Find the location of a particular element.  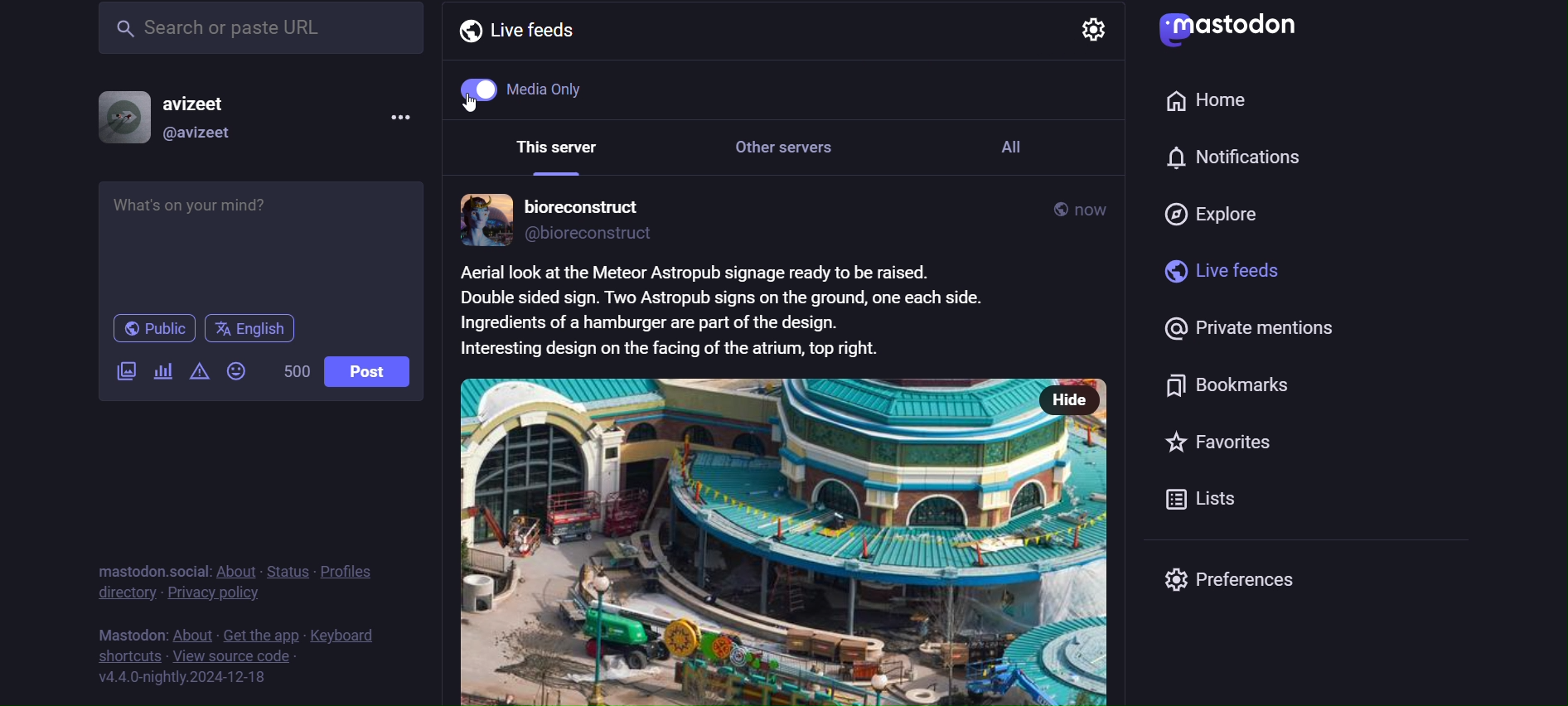

post is located at coordinates (375, 375).